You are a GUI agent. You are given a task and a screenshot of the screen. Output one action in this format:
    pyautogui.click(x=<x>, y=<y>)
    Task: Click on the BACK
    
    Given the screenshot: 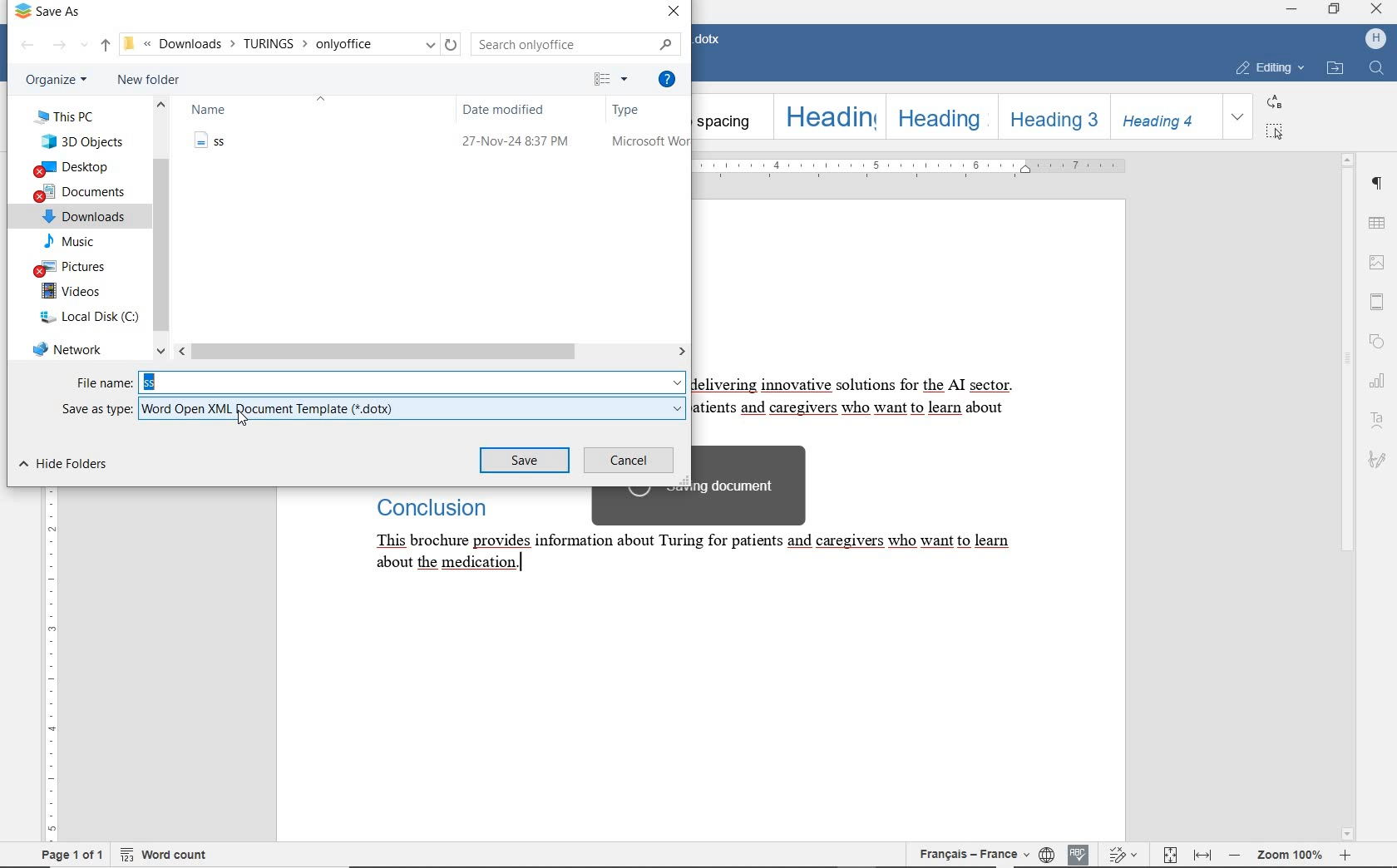 What is the action you would take?
    pyautogui.click(x=27, y=47)
    